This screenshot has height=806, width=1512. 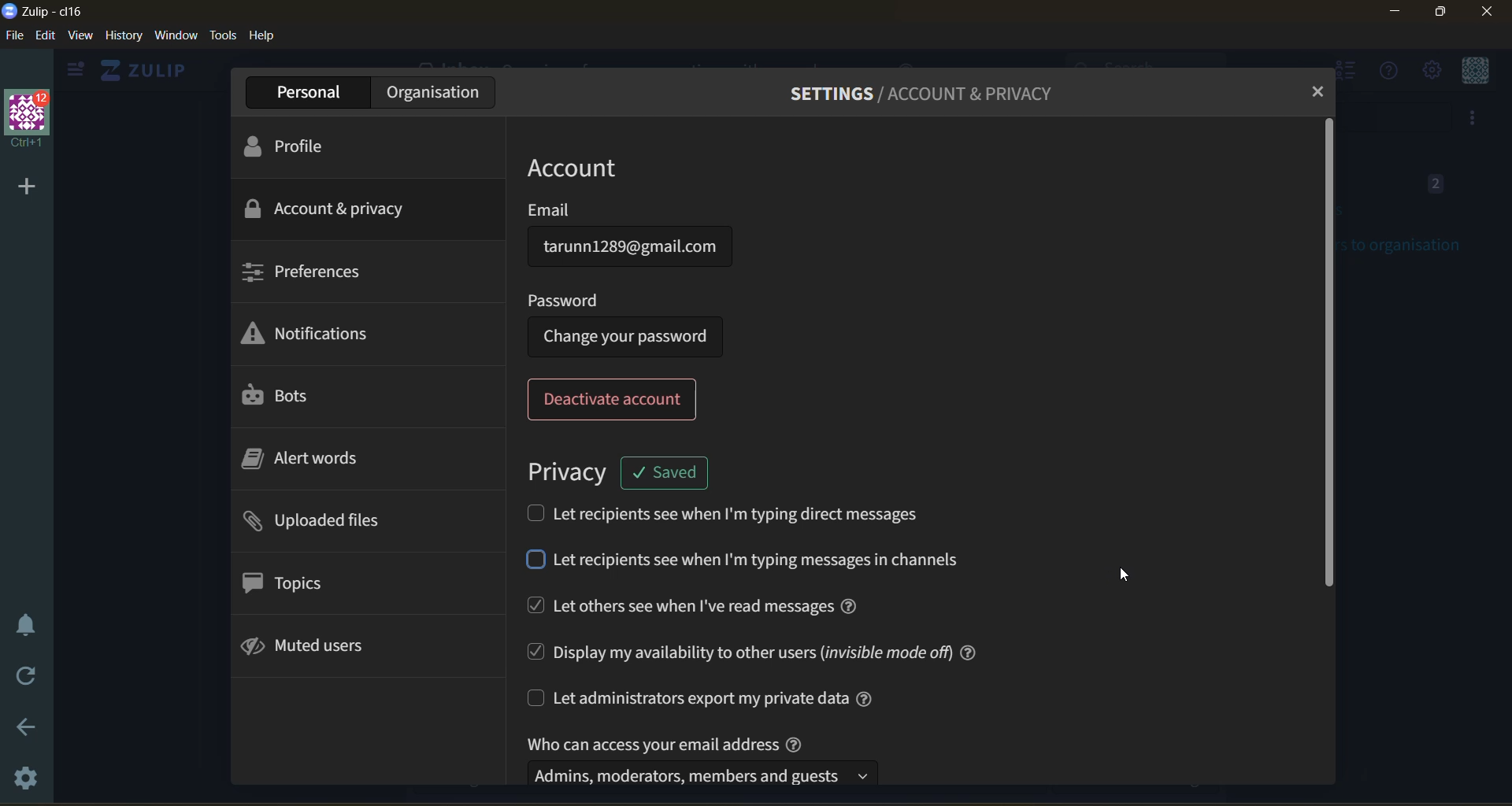 I want to click on option to invite users to organisation, so click(x=1474, y=120).